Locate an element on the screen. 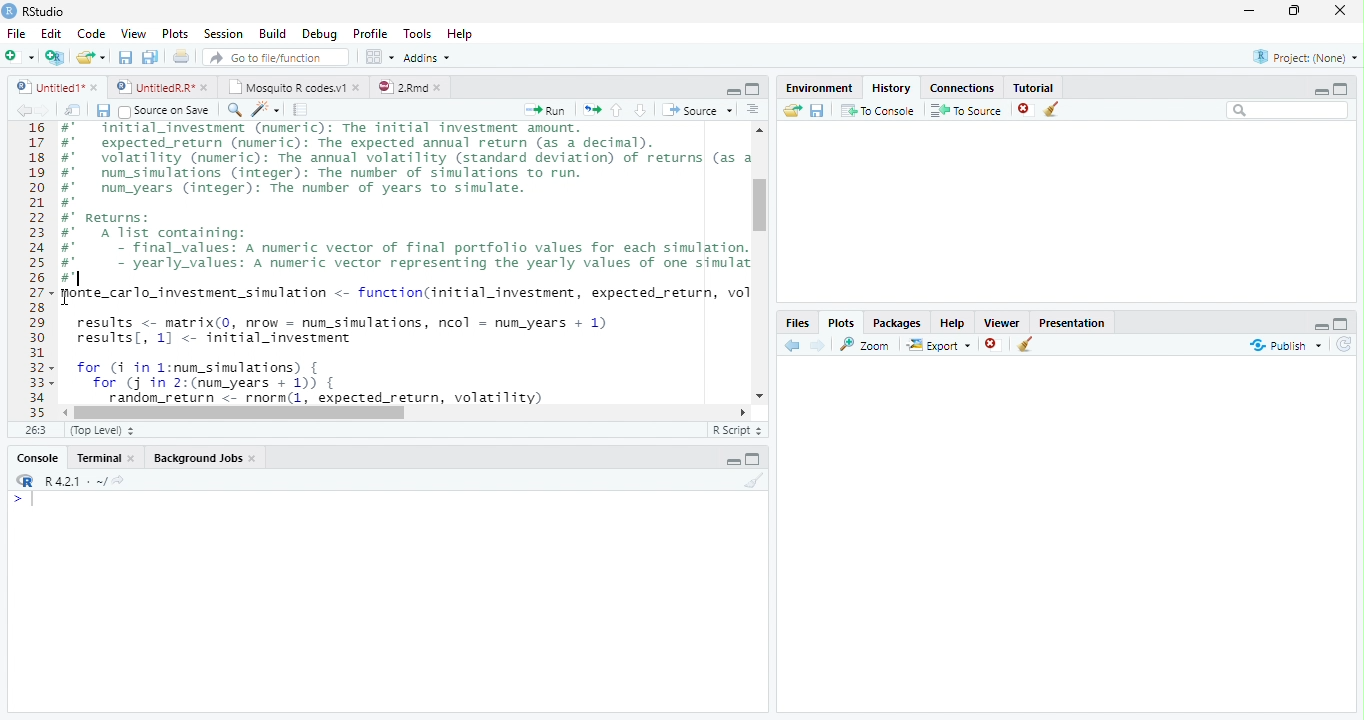 This screenshot has height=720, width=1364. Build is located at coordinates (273, 34).